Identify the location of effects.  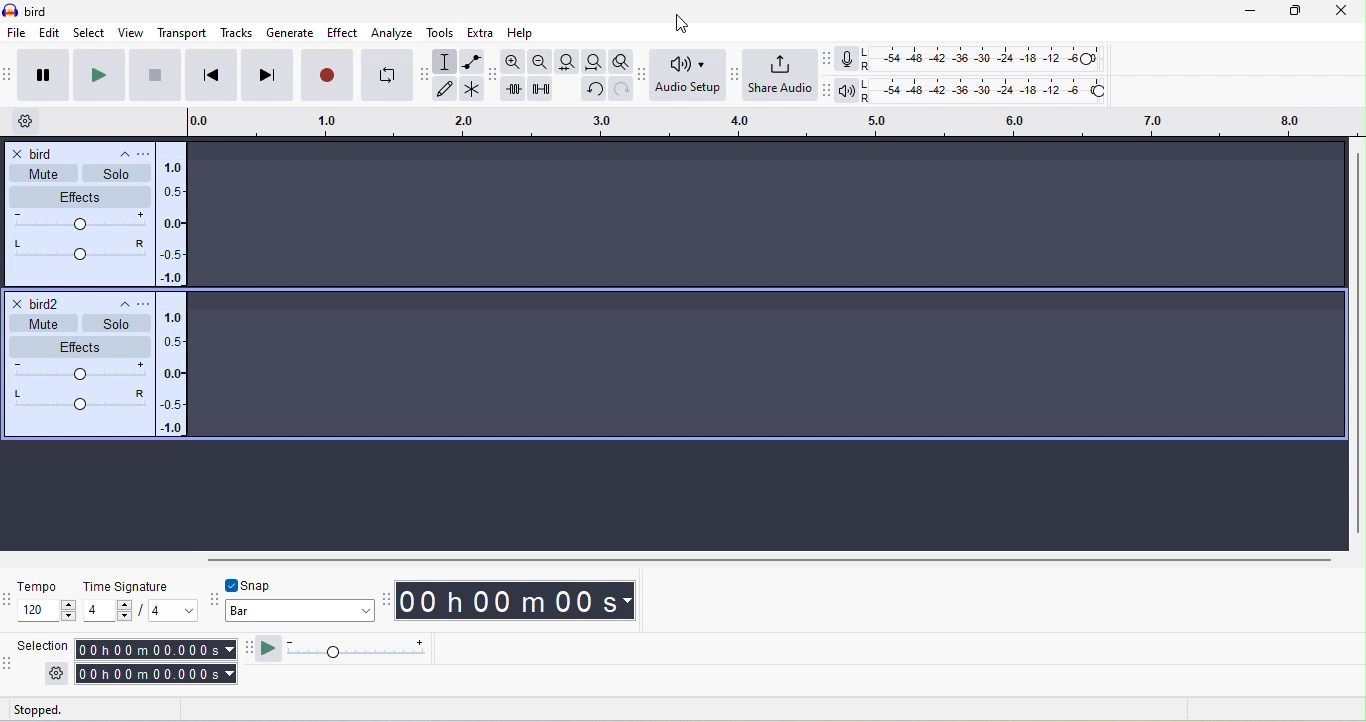
(76, 344).